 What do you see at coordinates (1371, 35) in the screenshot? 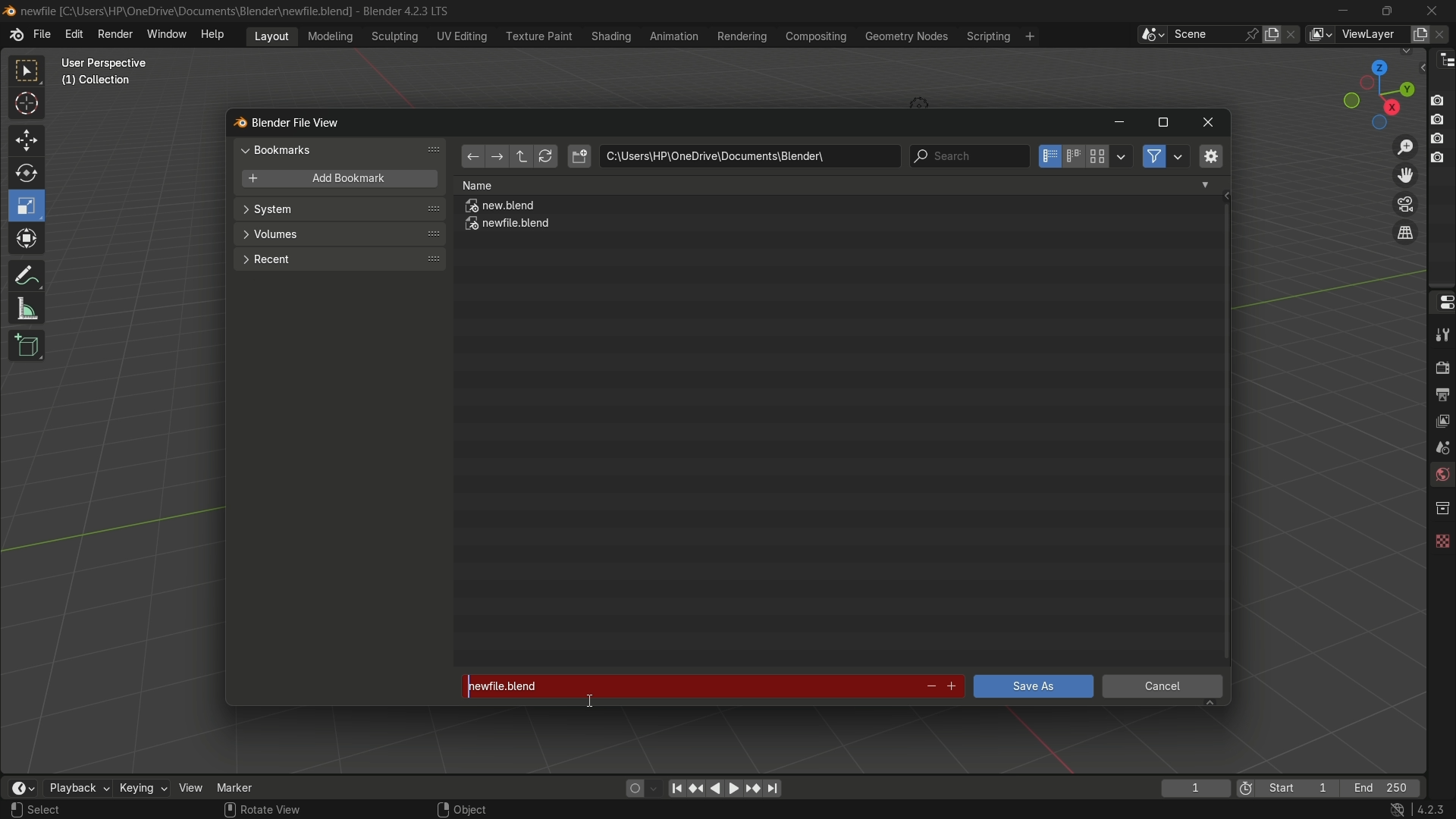
I see `view layer name` at bounding box center [1371, 35].